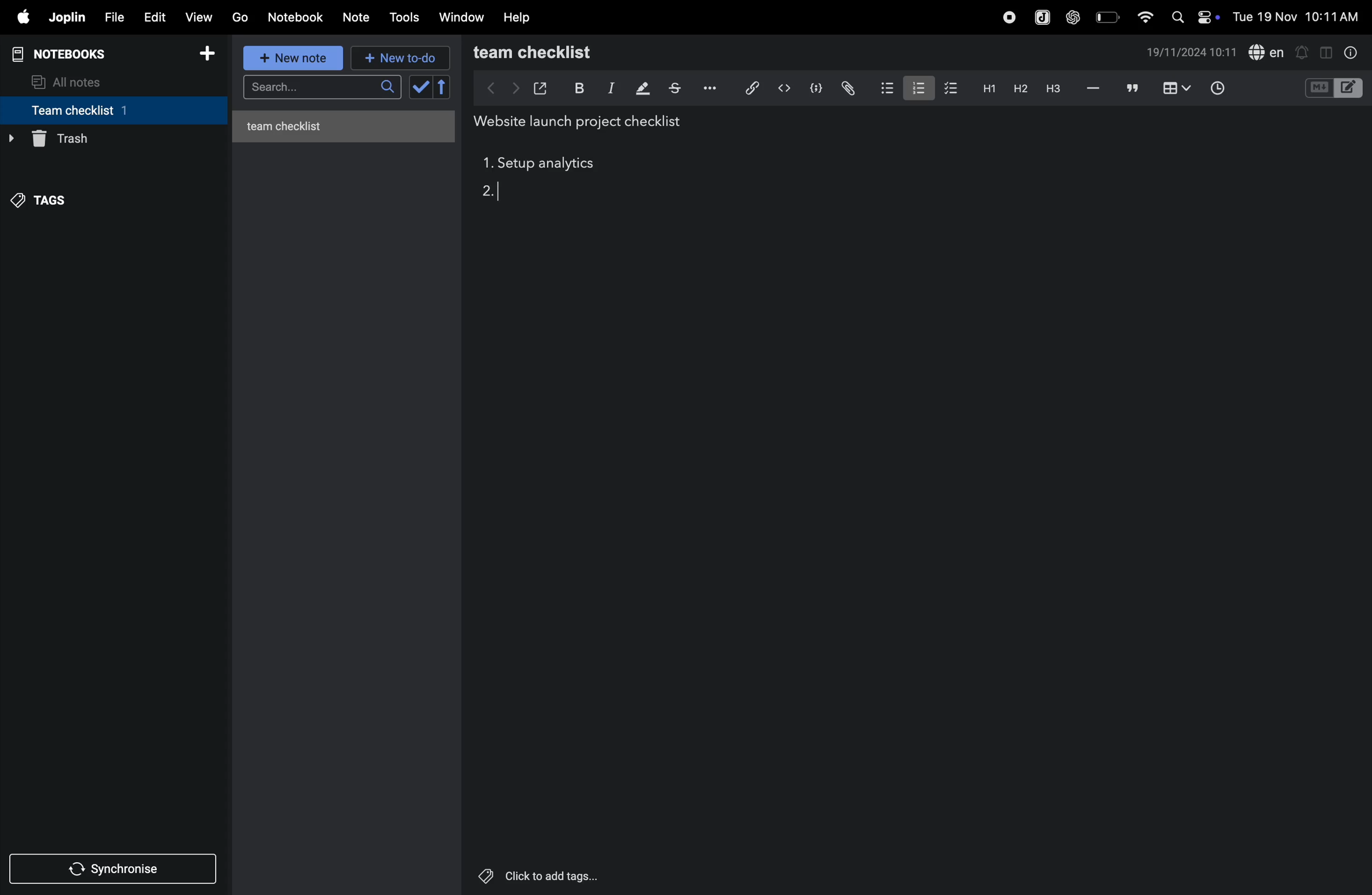 Image resolution: width=1372 pixels, height=895 pixels. Describe the element at coordinates (674, 88) in the screenshot. I see `strike through` at that location.